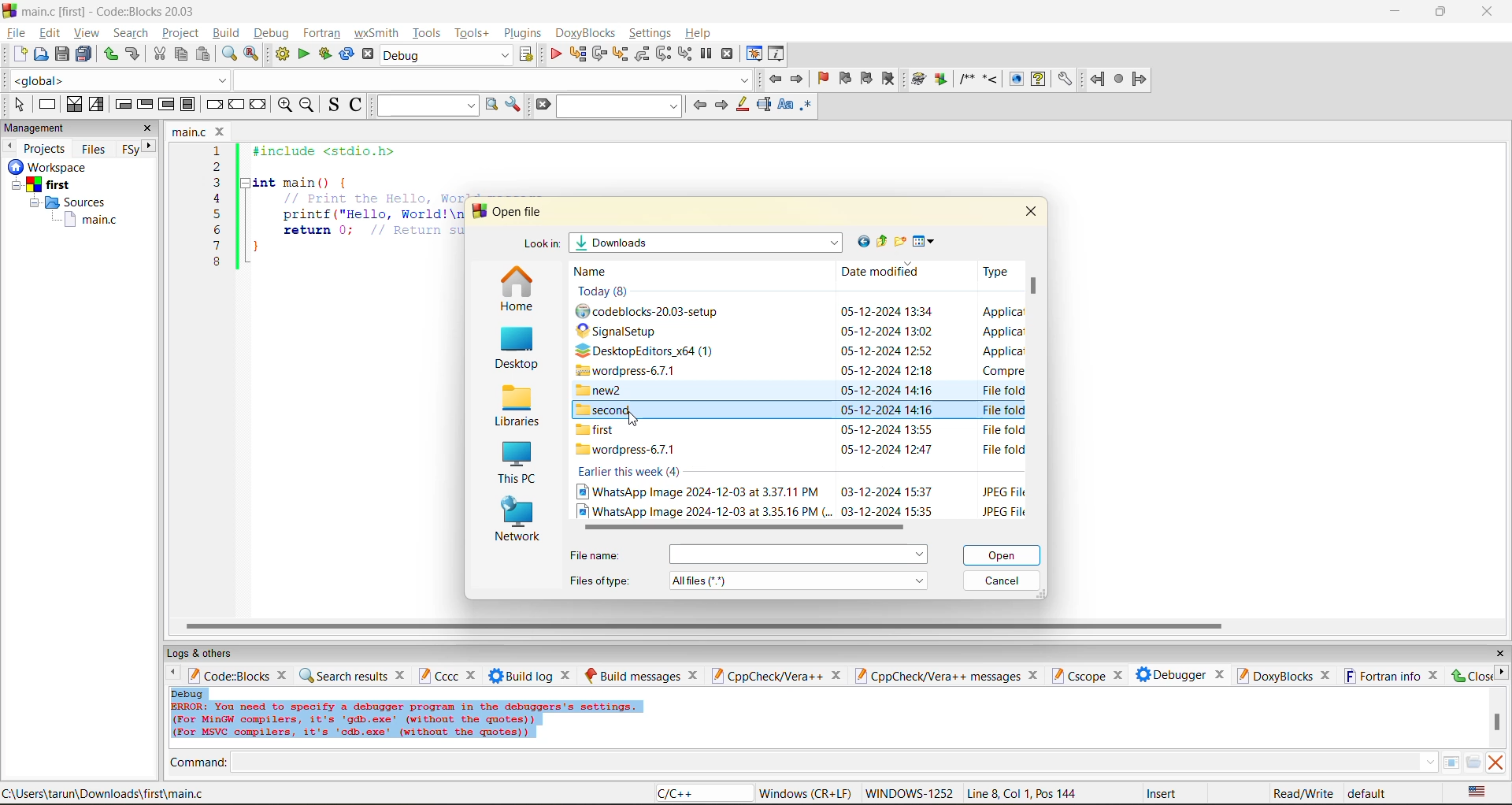 Image resolution: width=1512 pixels, height=805 pixels. What do you see at coordinates (1004, 555) in the screenshot?
I see `open` at bounding box center [1004, 555].